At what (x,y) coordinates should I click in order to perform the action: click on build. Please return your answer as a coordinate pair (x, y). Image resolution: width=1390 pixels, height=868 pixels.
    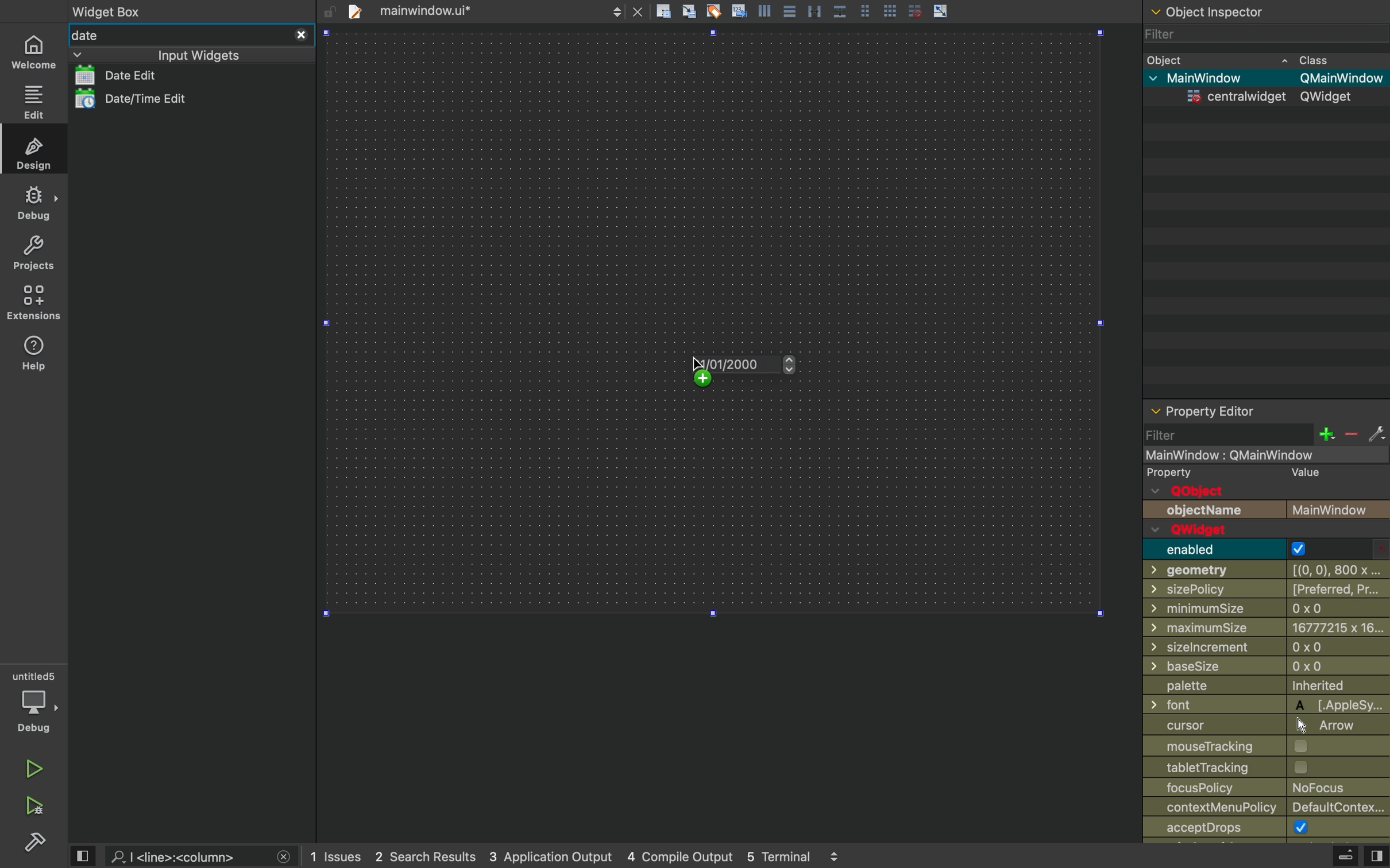
    Looking at the image, I should click on (36, 842).